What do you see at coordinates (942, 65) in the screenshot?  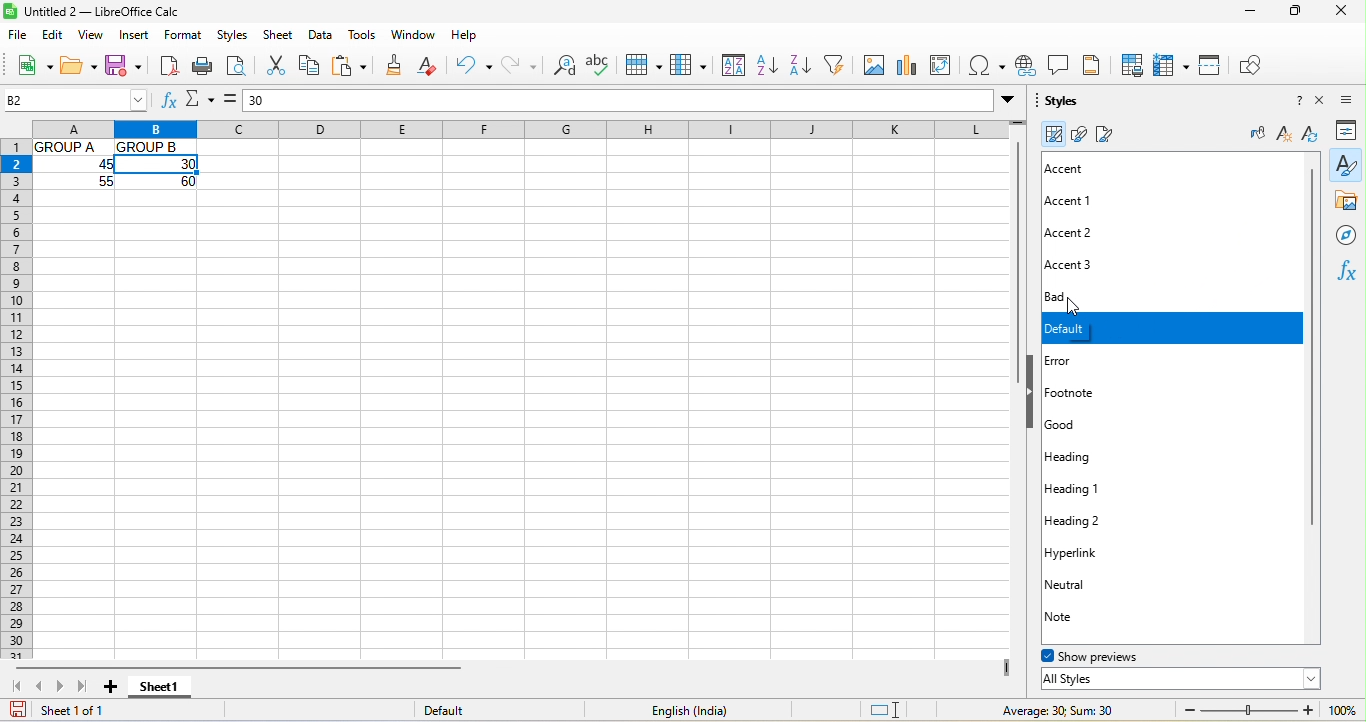 I see `pivot table` at bounding box center [942, 65].